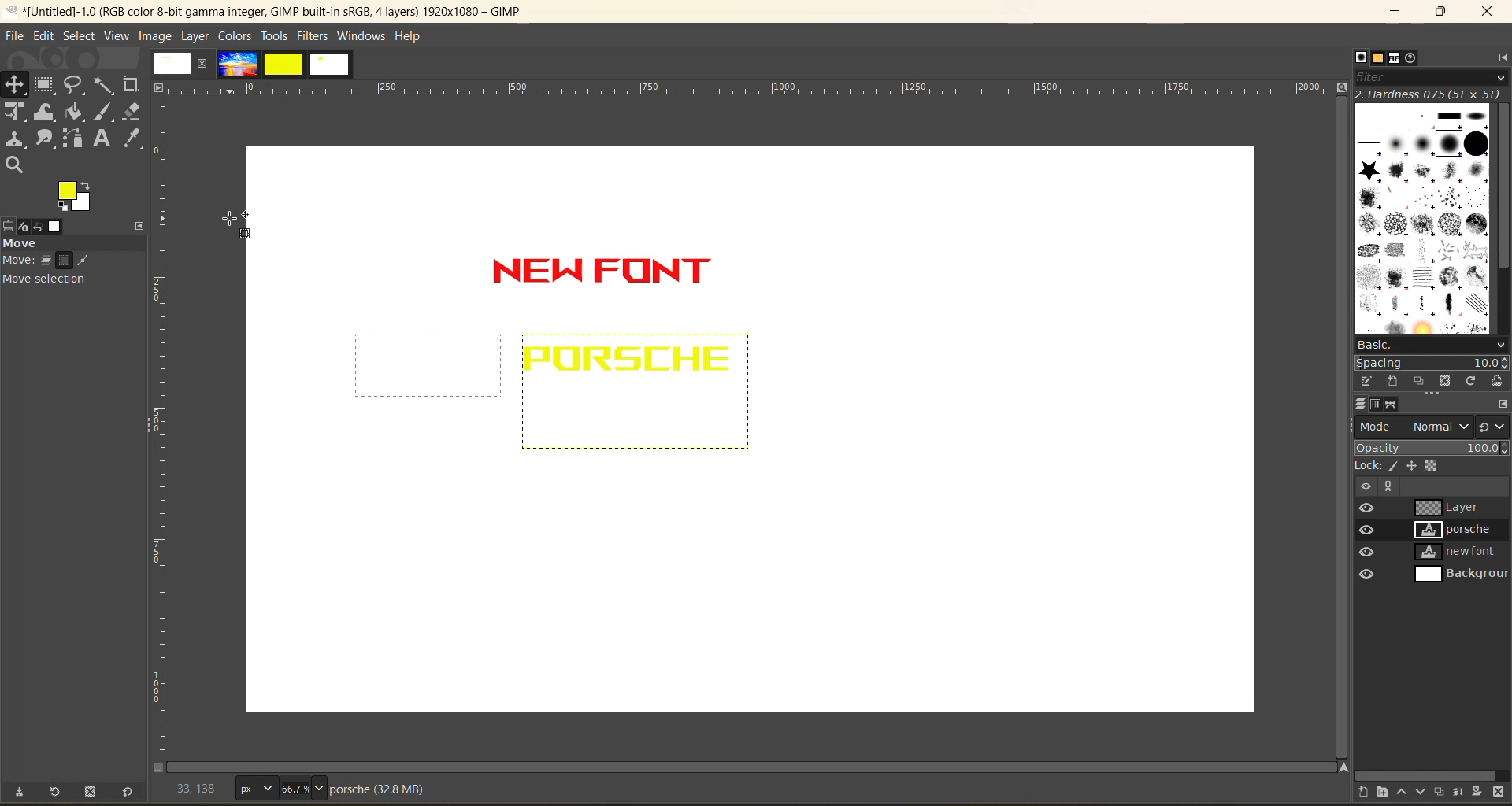 The image size is (1512, 806). What do you see at coordinates (13, 35) in the screenshot?
I see `file` at bounding box center [13, 35].